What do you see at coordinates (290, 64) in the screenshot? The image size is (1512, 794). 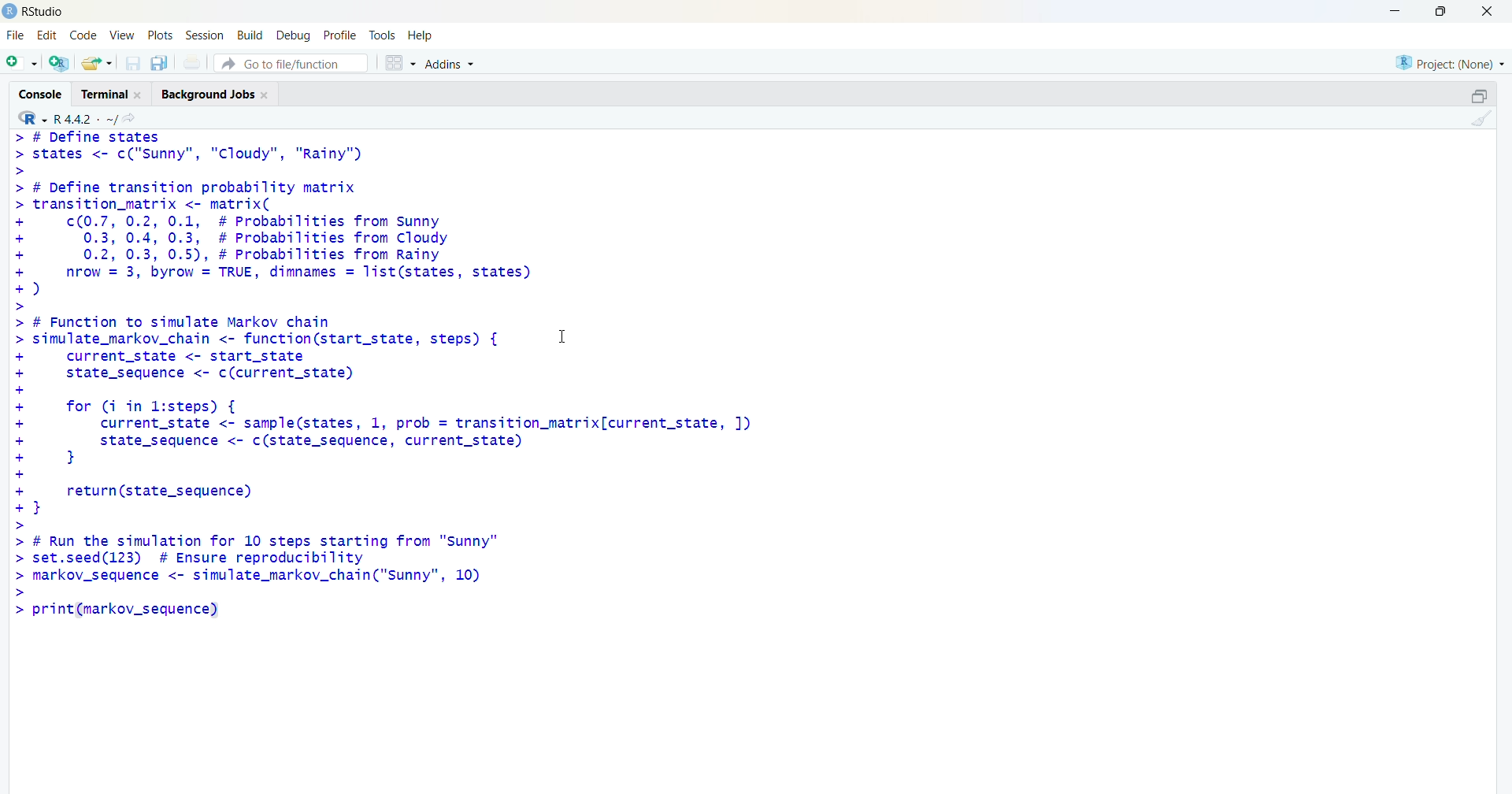 I see `go to file/function` at bounding box center [290, 64].